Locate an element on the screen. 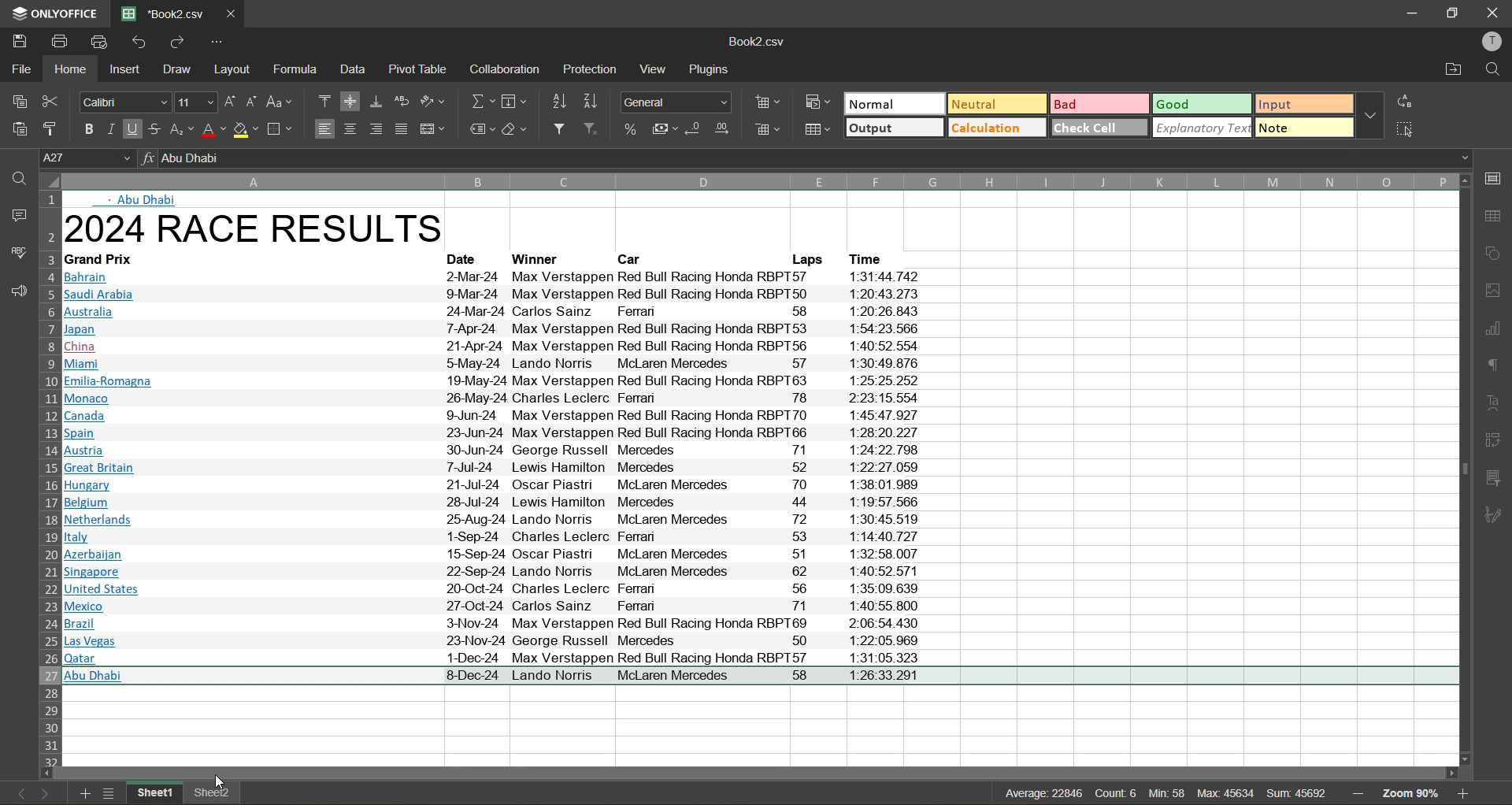  text info is located at coordinates (491, 623).